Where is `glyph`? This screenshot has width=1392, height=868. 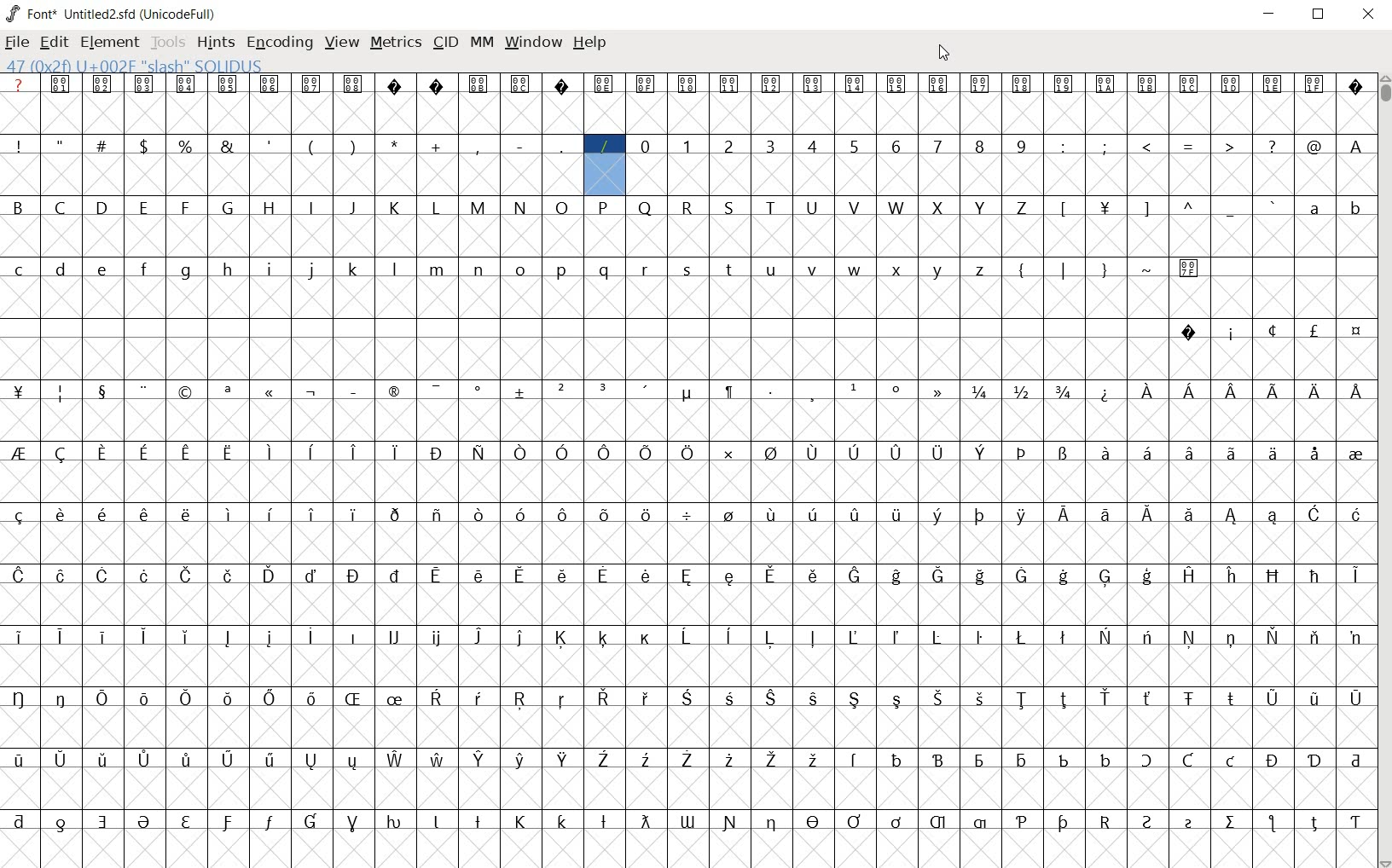 glyph is located at coordinates (1274, 205).